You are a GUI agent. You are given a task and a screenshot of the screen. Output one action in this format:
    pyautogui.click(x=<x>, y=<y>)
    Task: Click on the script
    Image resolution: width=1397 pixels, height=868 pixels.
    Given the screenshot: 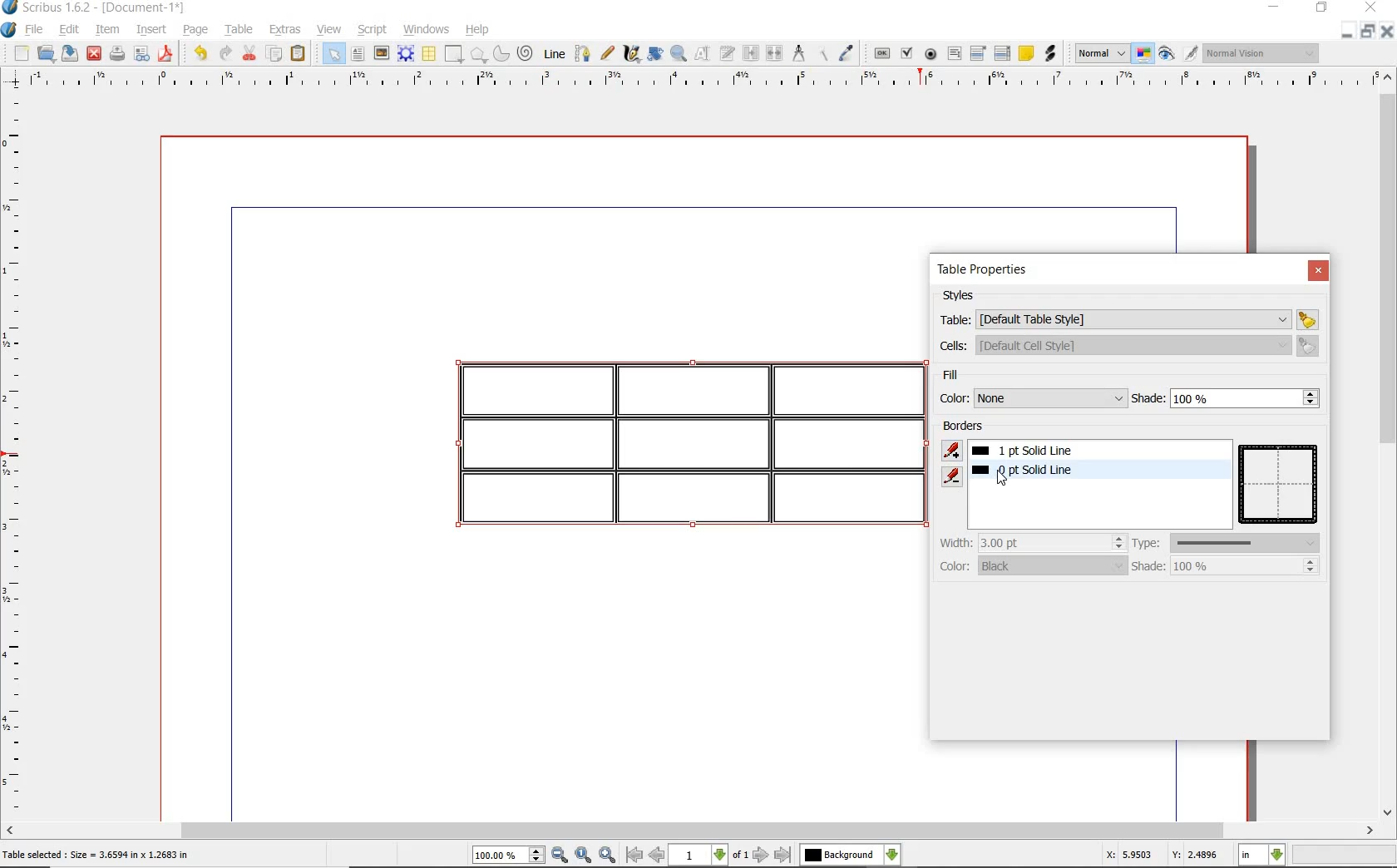 What is the action you would take?
    pyautogui.click(x=373, y=31)
    